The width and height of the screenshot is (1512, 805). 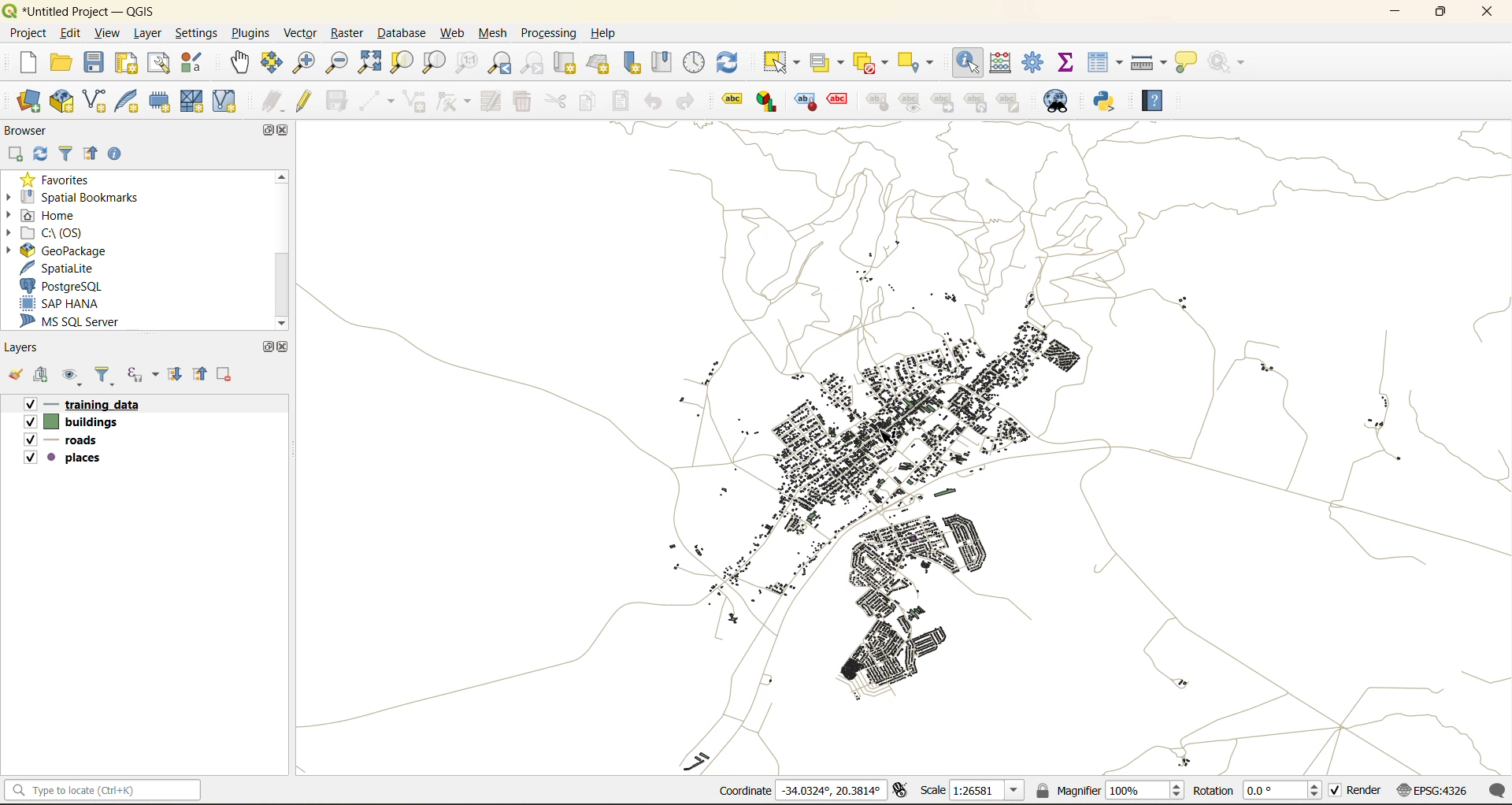 I want to click on temporary scratch layer, so click(x=161, y=102).